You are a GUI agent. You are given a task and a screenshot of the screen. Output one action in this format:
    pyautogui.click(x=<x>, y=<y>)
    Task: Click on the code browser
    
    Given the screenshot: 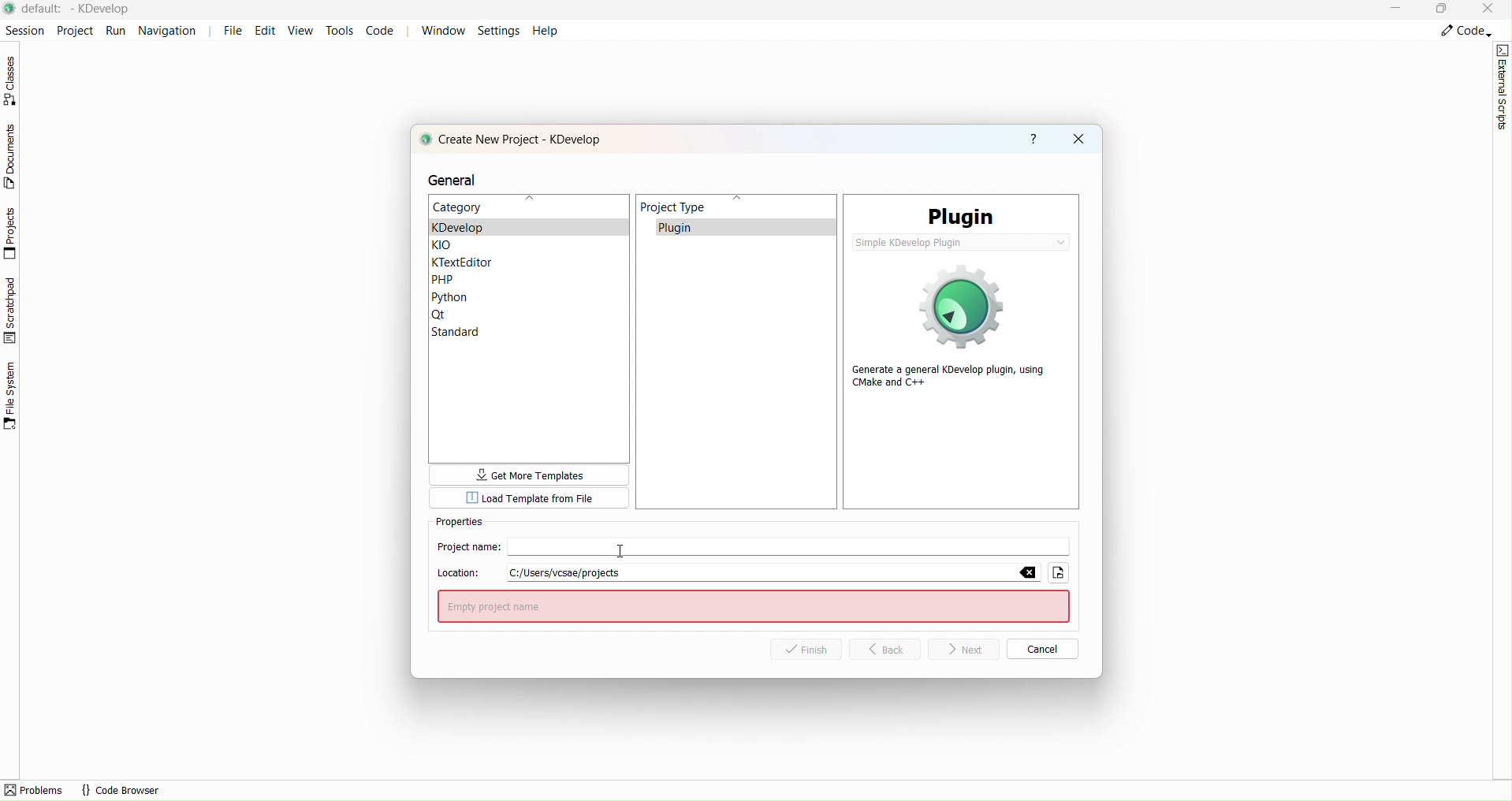 What is the action you would take?
    pyautogui.click(x=121, y=790)
    